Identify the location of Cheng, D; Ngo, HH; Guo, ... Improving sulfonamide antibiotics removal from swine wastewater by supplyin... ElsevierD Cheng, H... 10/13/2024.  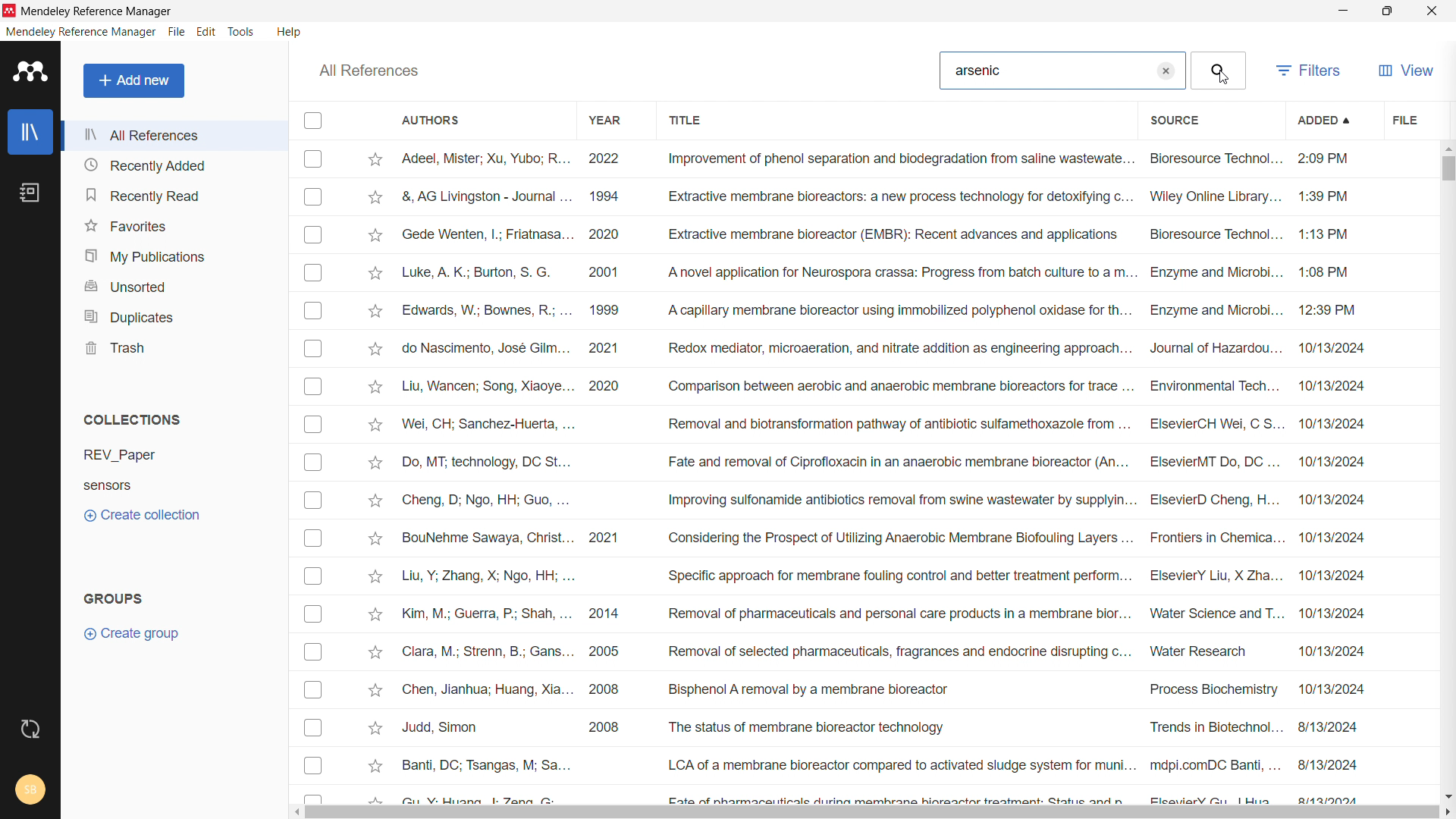
(884, 497).